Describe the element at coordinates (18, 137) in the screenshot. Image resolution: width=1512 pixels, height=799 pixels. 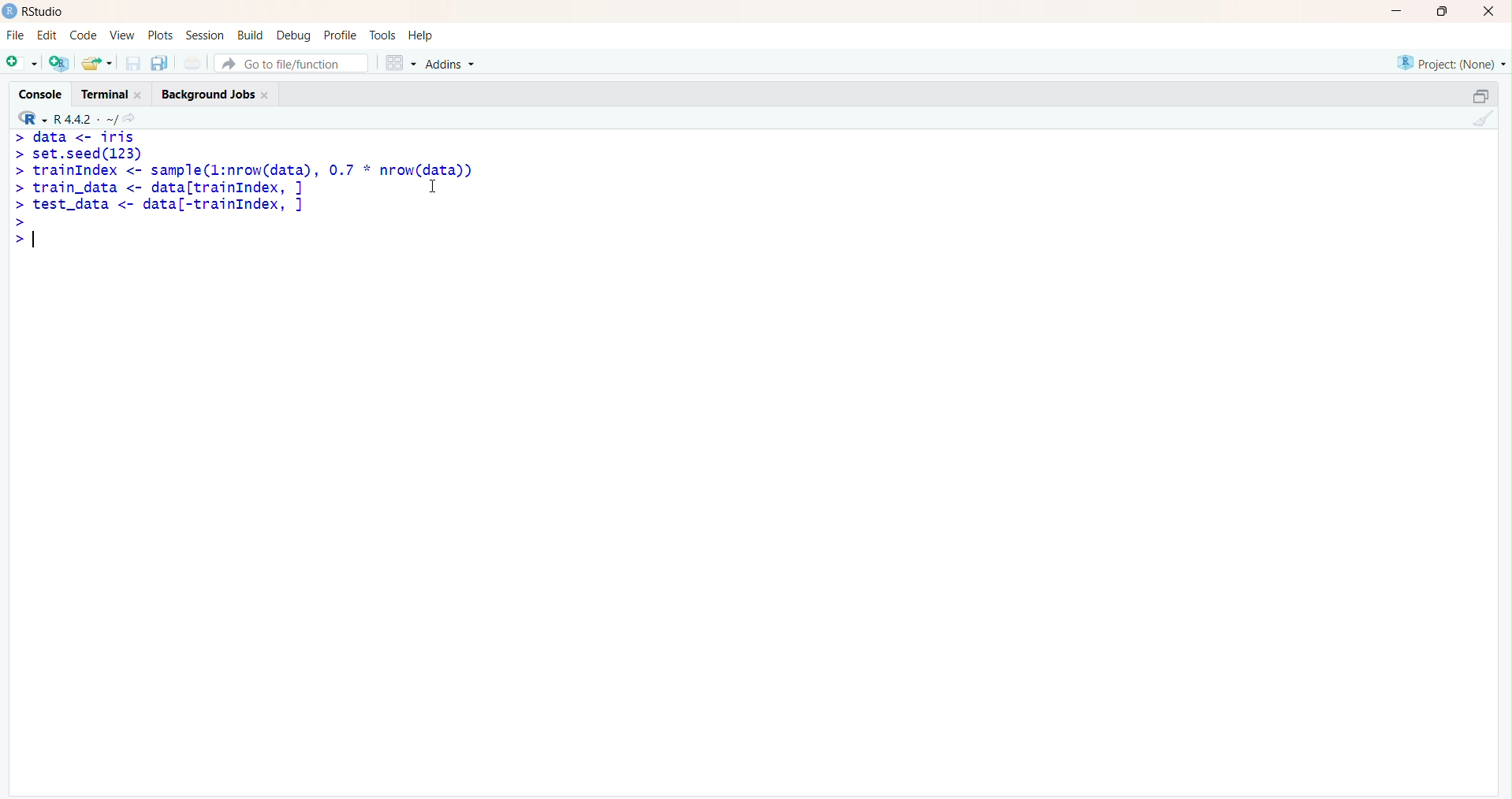
I see `Prompt cursor` at that location.